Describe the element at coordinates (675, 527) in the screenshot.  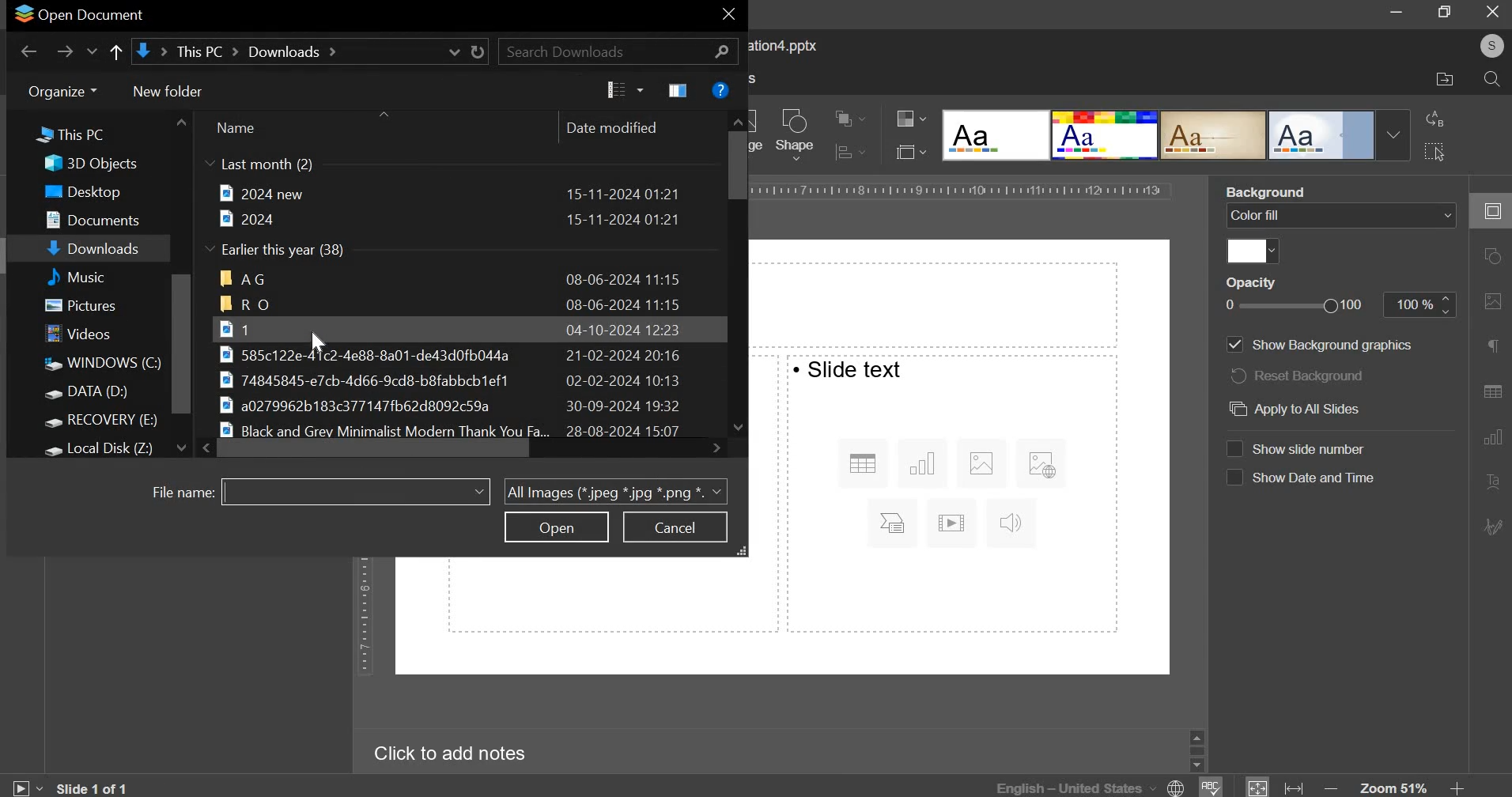
I see `cancel` at that location.